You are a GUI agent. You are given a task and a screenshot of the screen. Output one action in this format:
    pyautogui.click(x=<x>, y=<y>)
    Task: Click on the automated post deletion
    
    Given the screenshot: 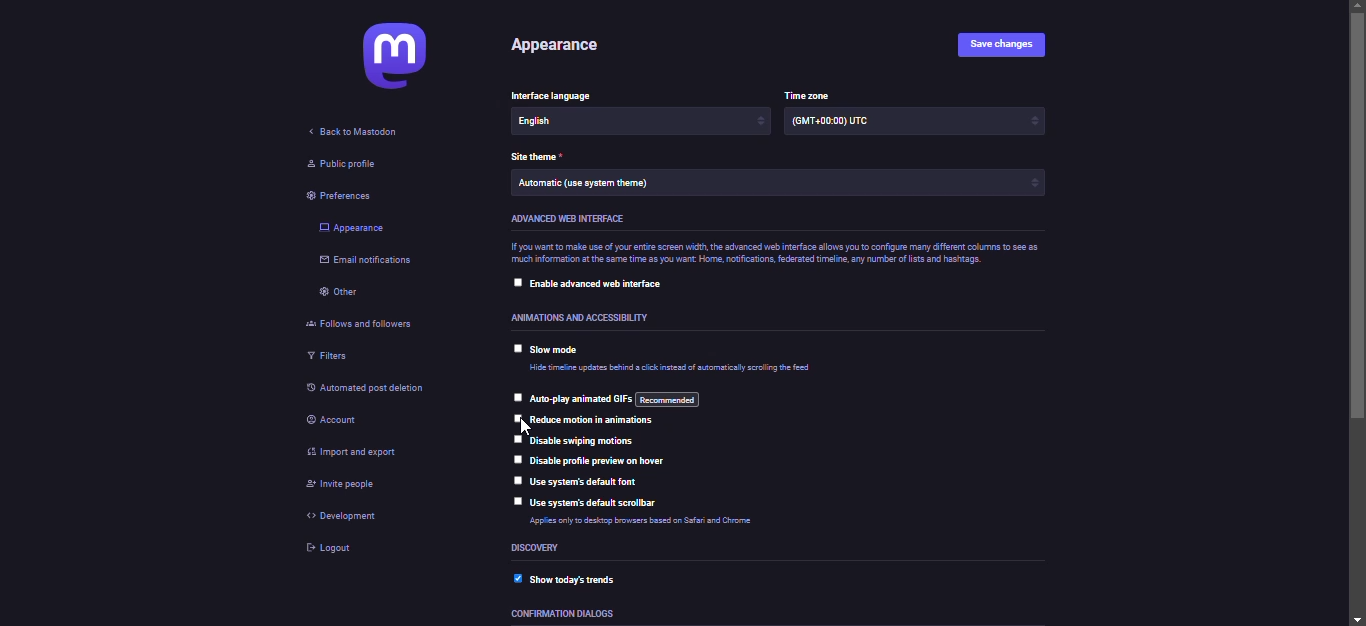 What is the action you would take?
    pyautogui.click(x=363, y=385)
    